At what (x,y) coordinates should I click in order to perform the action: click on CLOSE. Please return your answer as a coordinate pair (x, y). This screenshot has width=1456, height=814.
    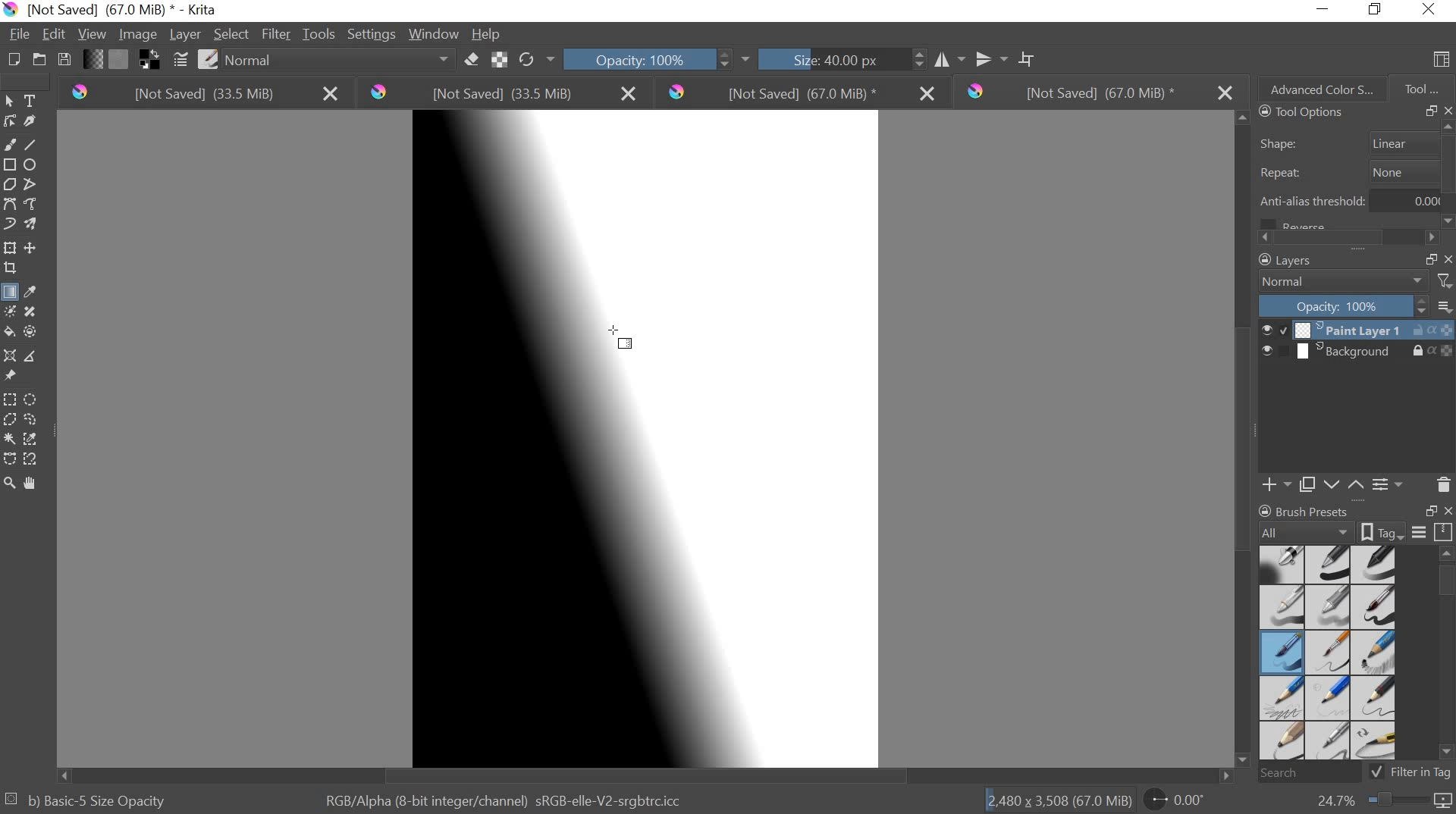
    Looking at the image, I should click on (1446, 512).